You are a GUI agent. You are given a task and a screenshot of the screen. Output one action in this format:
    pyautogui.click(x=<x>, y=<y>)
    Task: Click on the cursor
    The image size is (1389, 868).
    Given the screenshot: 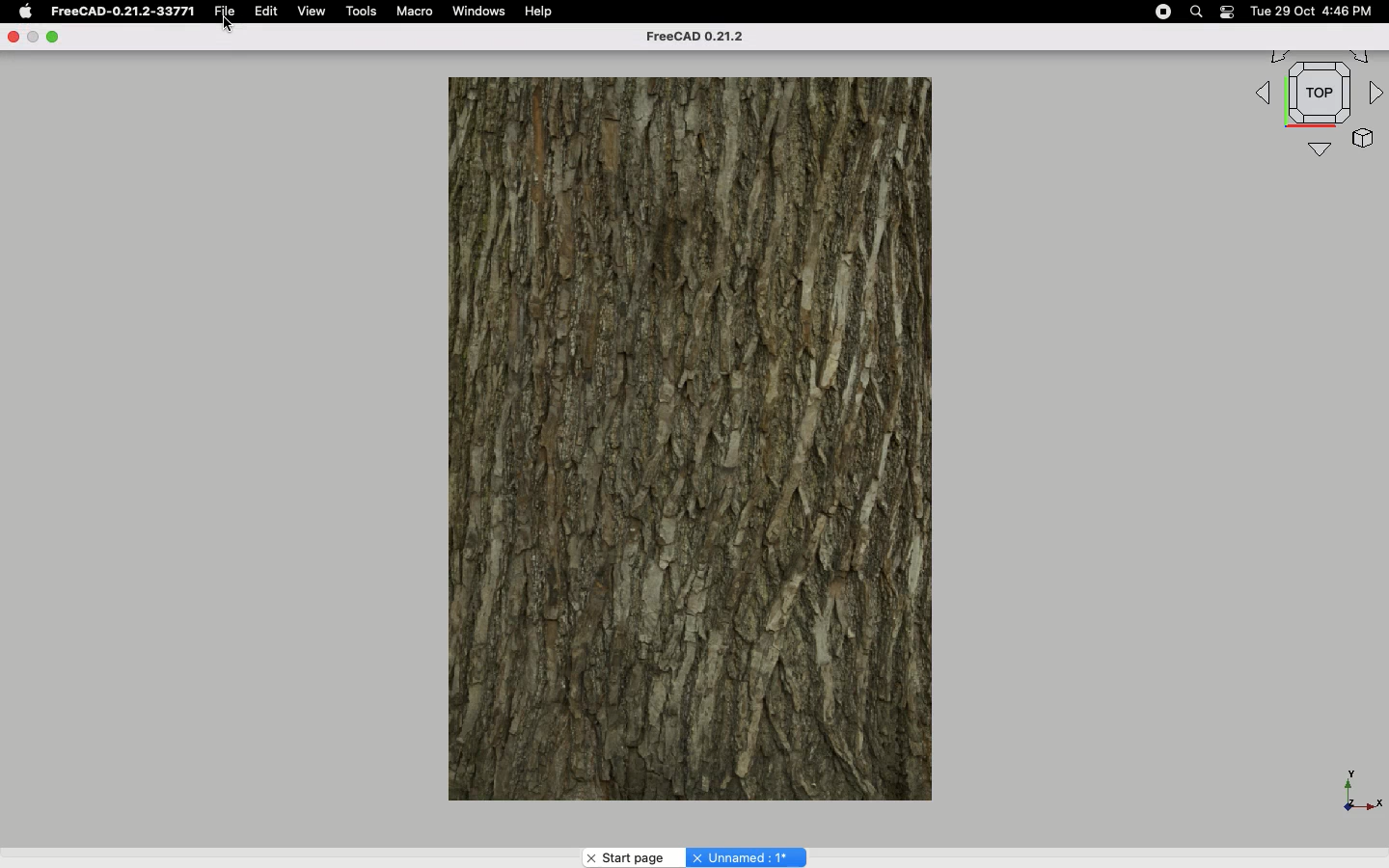 What is the action you would take?
    pyautogui.click(x=228, y=27)
    